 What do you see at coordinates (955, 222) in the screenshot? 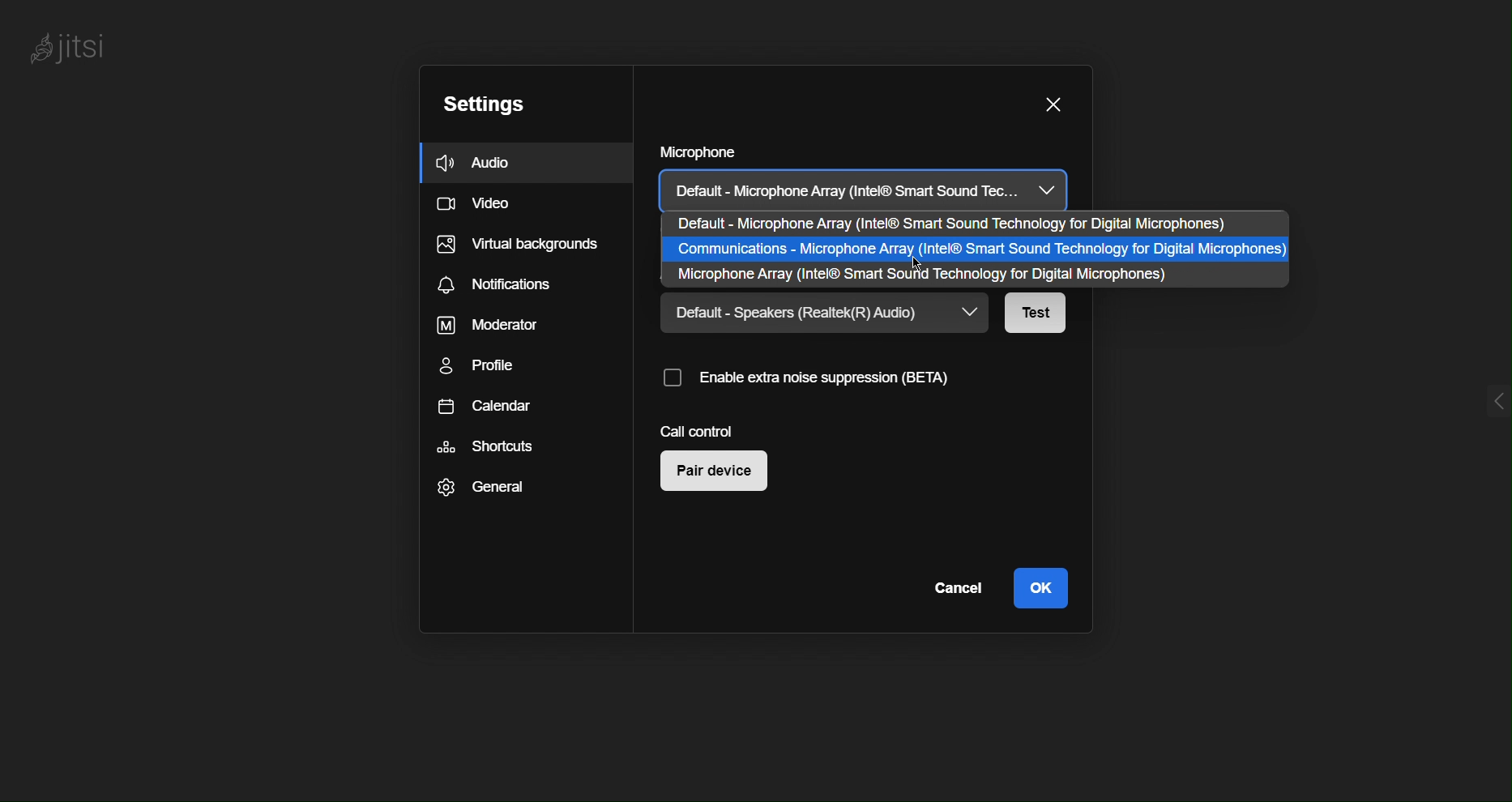
I see `Default - Microphone Array (Intel® Smart Sound Technology for Digital Microphones)` at bounding box center [955, 222].